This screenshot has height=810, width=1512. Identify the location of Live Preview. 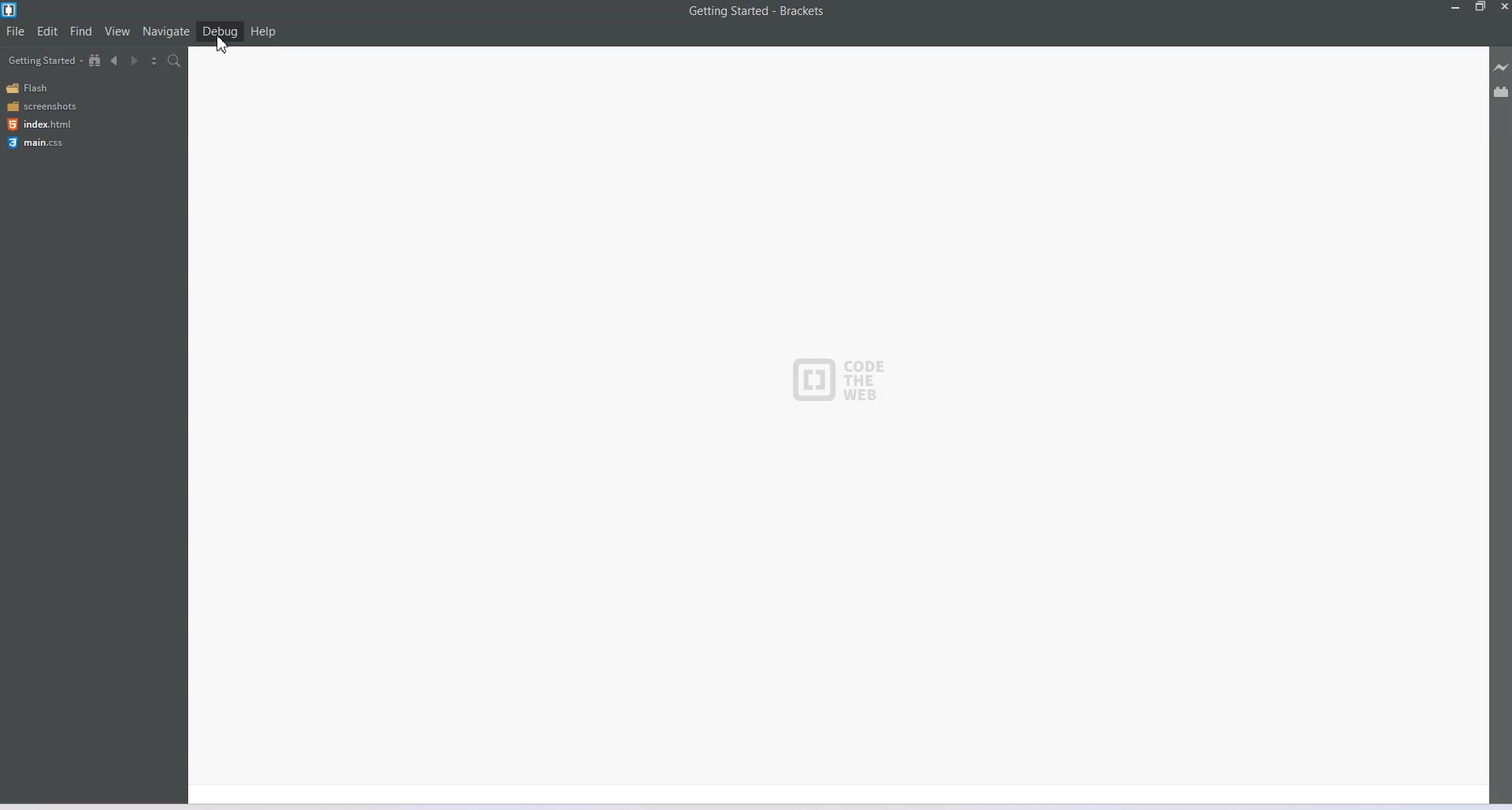
(1502, 68).